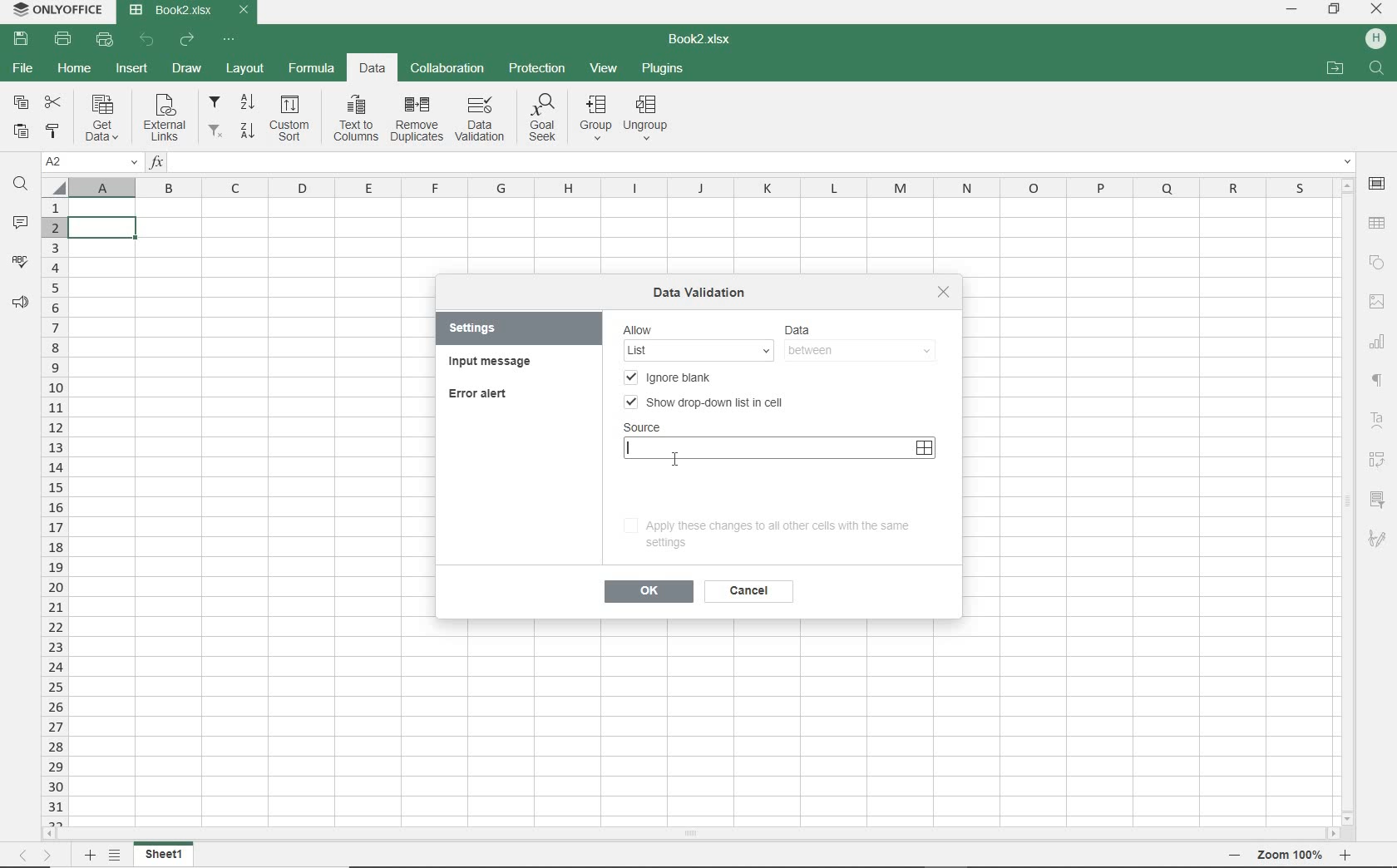 This screenshot has height=868, width=1397. What do you see at coordinates (146, 40) in the screenshot?
I see `UNDO` at bounding box center [146, 40].